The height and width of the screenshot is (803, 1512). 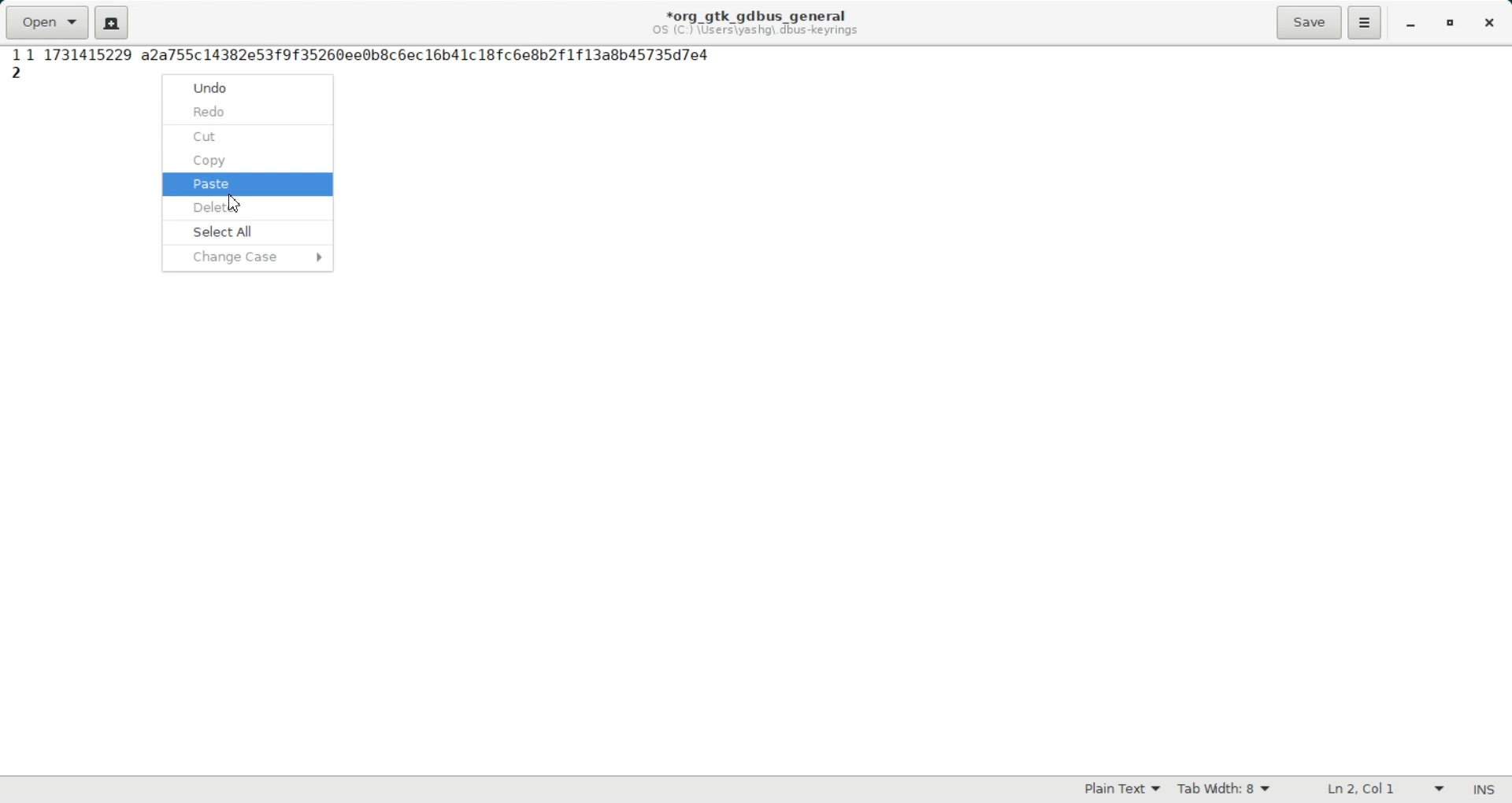 What do you see at coordinates (18, 72) in the screenshot?
I see `Line Number` at bounding box center [18, 72].